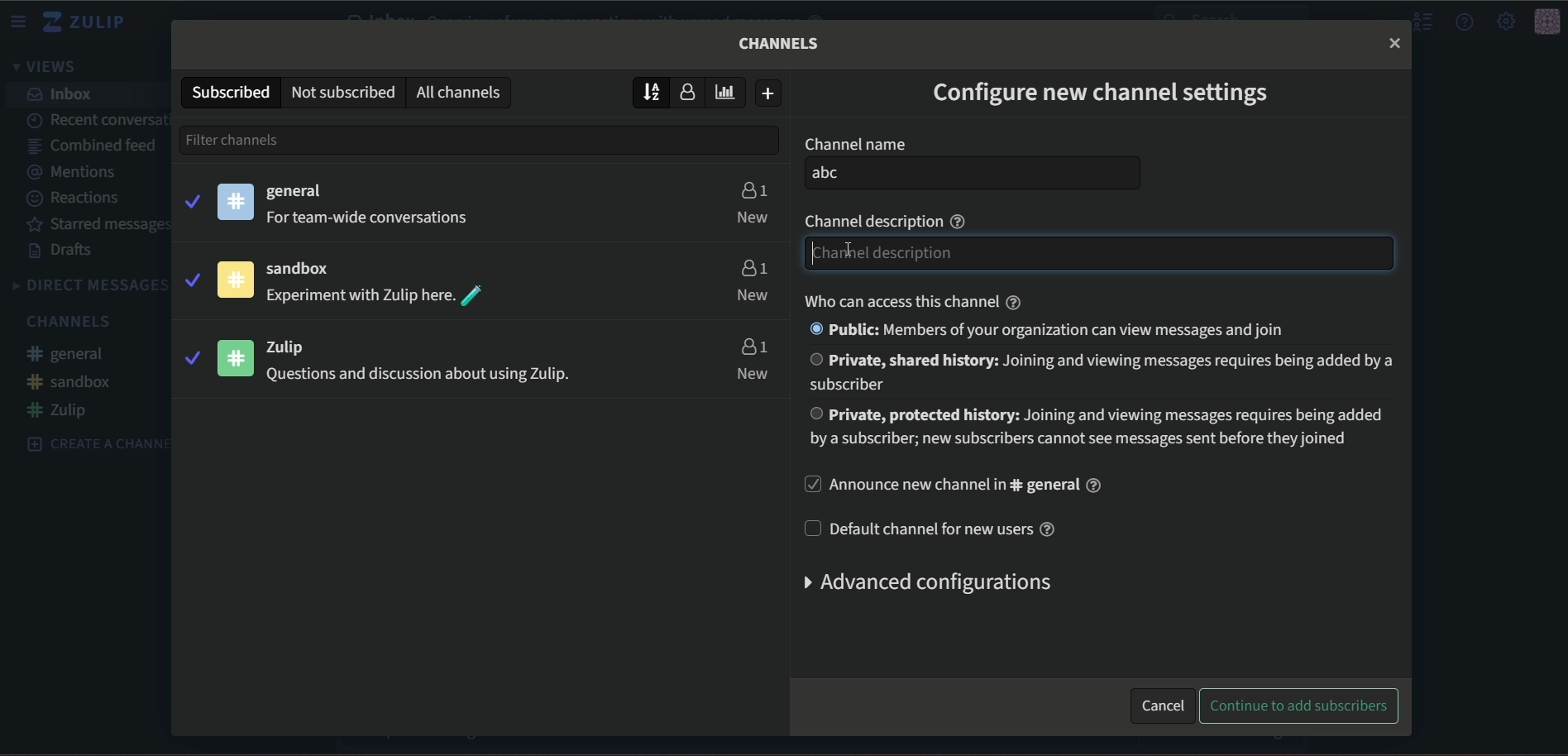 Image resolution: width=1568 pixels, height=756 pixels. What do you see at coordinates (298, 345) in the screenshot?
I see `zulip` at bounding box center [298, 345].